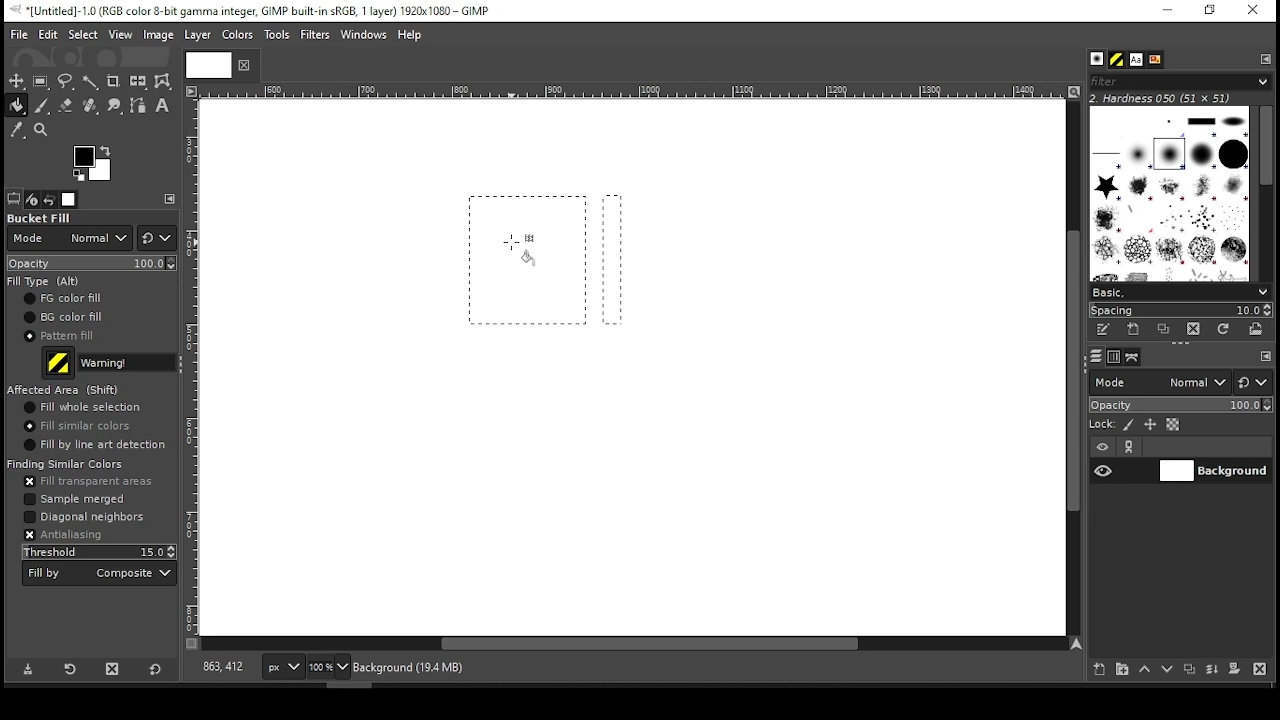 The height and width of the screenshot is (720, 1280). Describe the element at coordinates (65, 298) in the screenshot. I see `foreground fill color` at that location.